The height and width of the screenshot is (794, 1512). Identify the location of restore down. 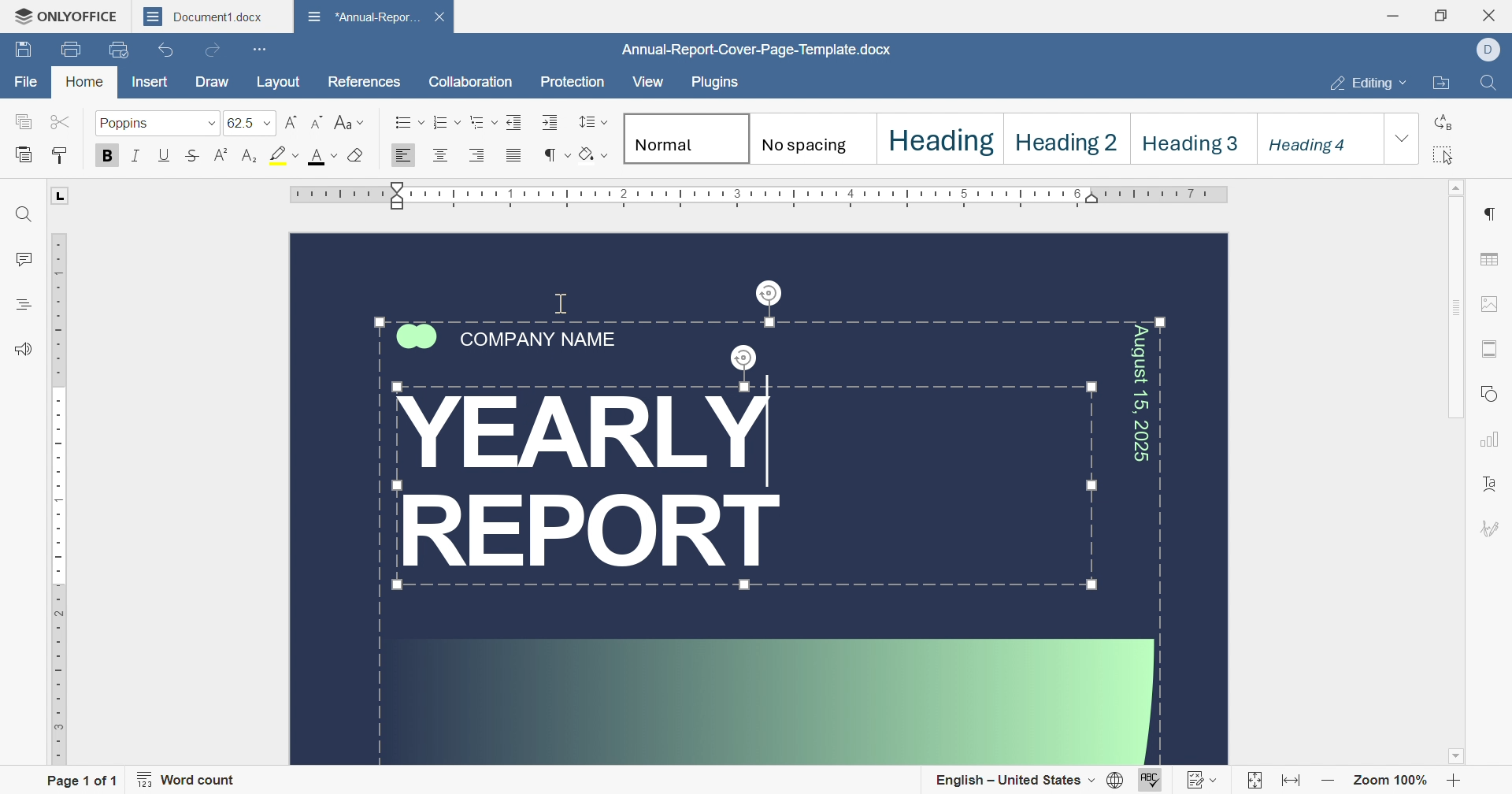
(1443, 13).